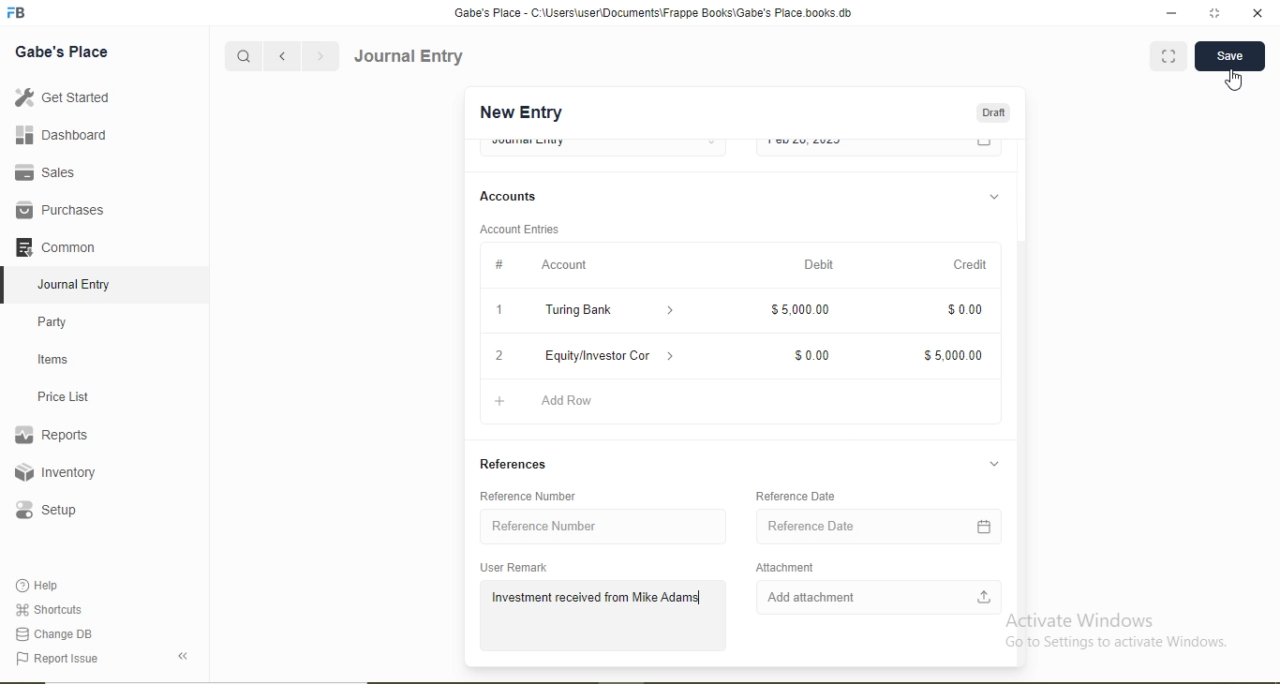 Image resolution: width=1280 pixels, height=684 pixels. What do you see at coordinates (53, 324) in the screenshot?
I see `Party` at bounding box center [53, 324].